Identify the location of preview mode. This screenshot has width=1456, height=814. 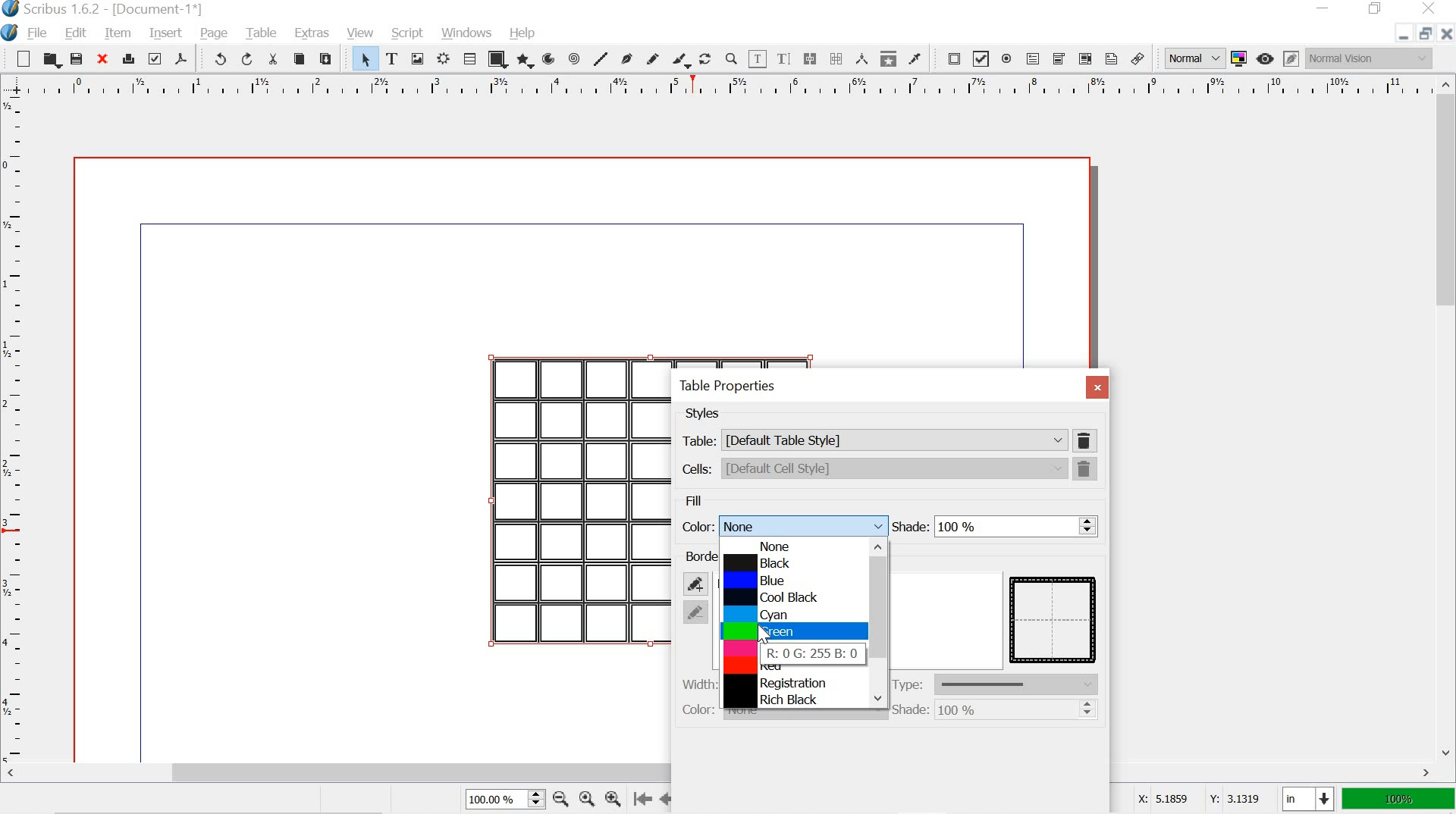
(1265, 59).